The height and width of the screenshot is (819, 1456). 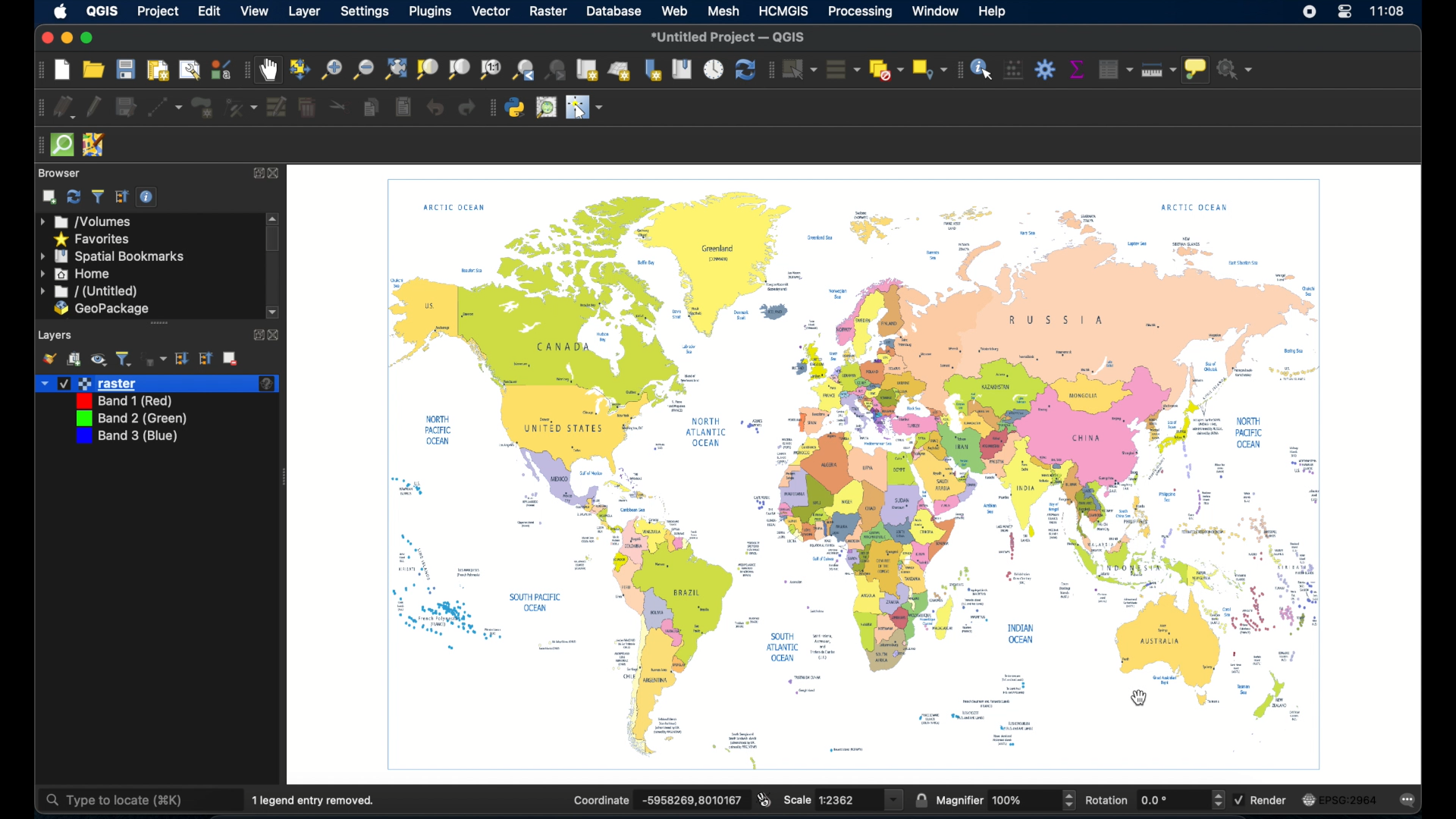 What do you see at coordinates (1197, 71) in the screenshot?
I see `show map tips` at bounding box center [1197, 71].